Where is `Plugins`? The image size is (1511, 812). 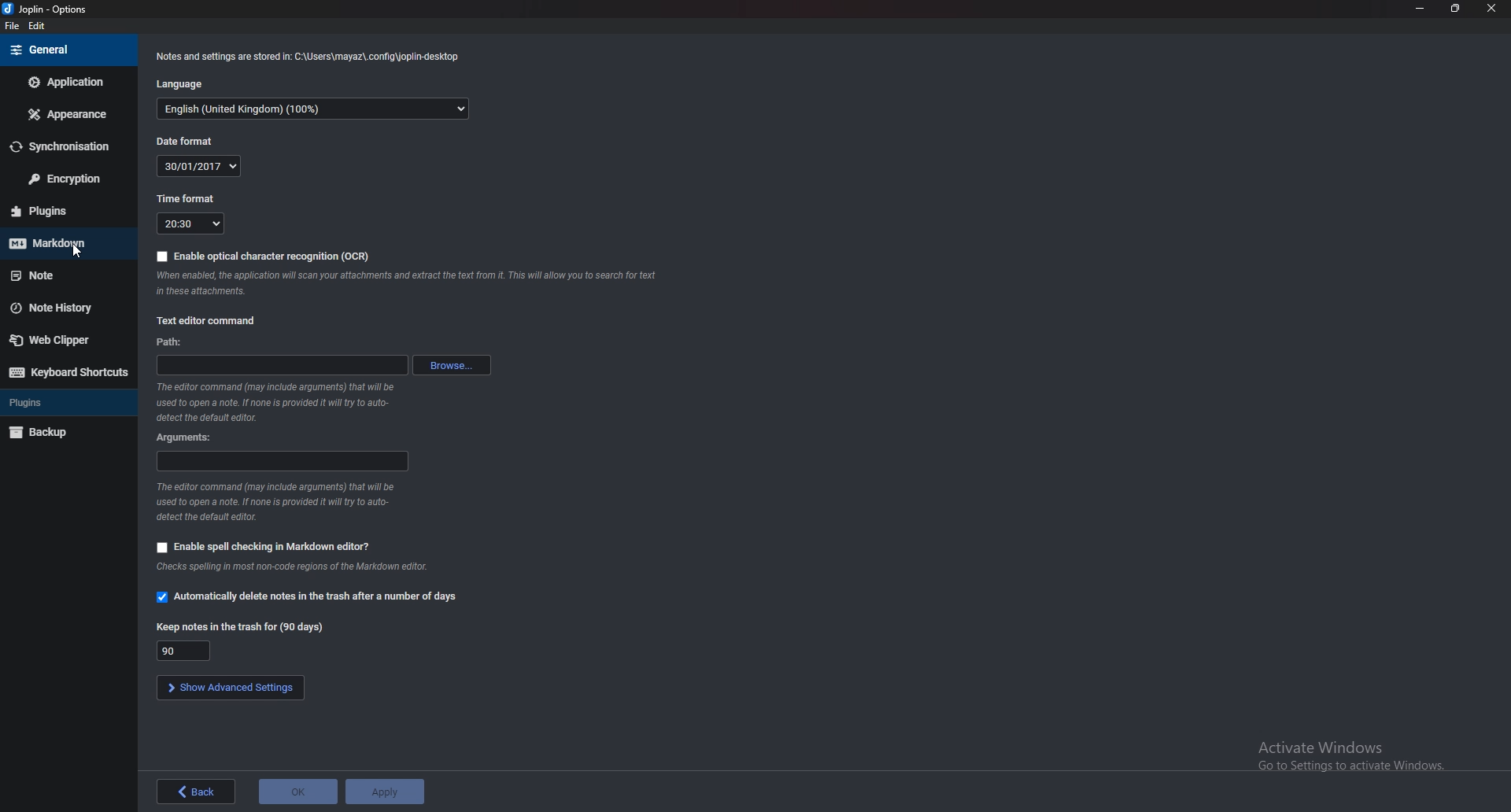
Plugins is located at coordinates (61, 404).